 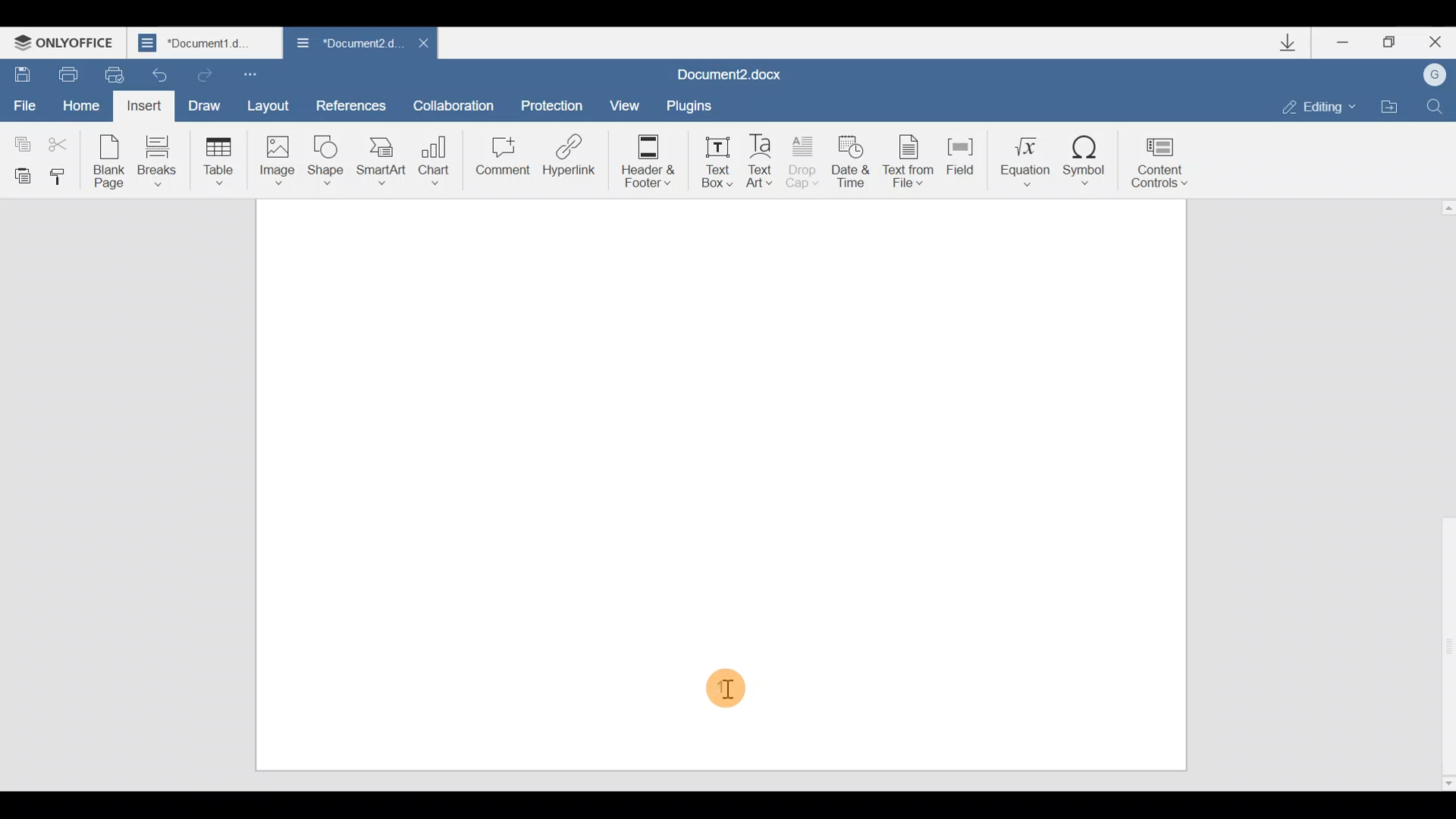 I want to click on Document2.d, so click(x=342, y=44).